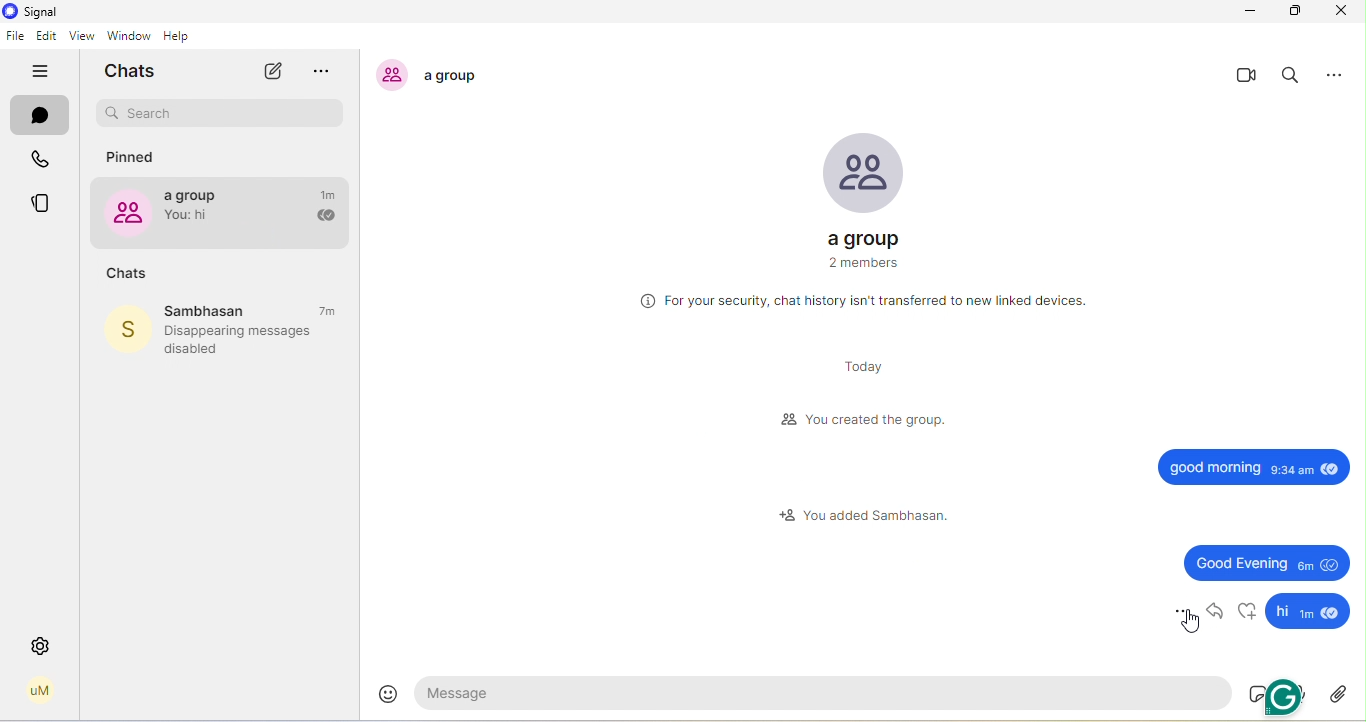 This screenshot has height=722, width=1366. I want to click on 2 members, so click(858, 267).